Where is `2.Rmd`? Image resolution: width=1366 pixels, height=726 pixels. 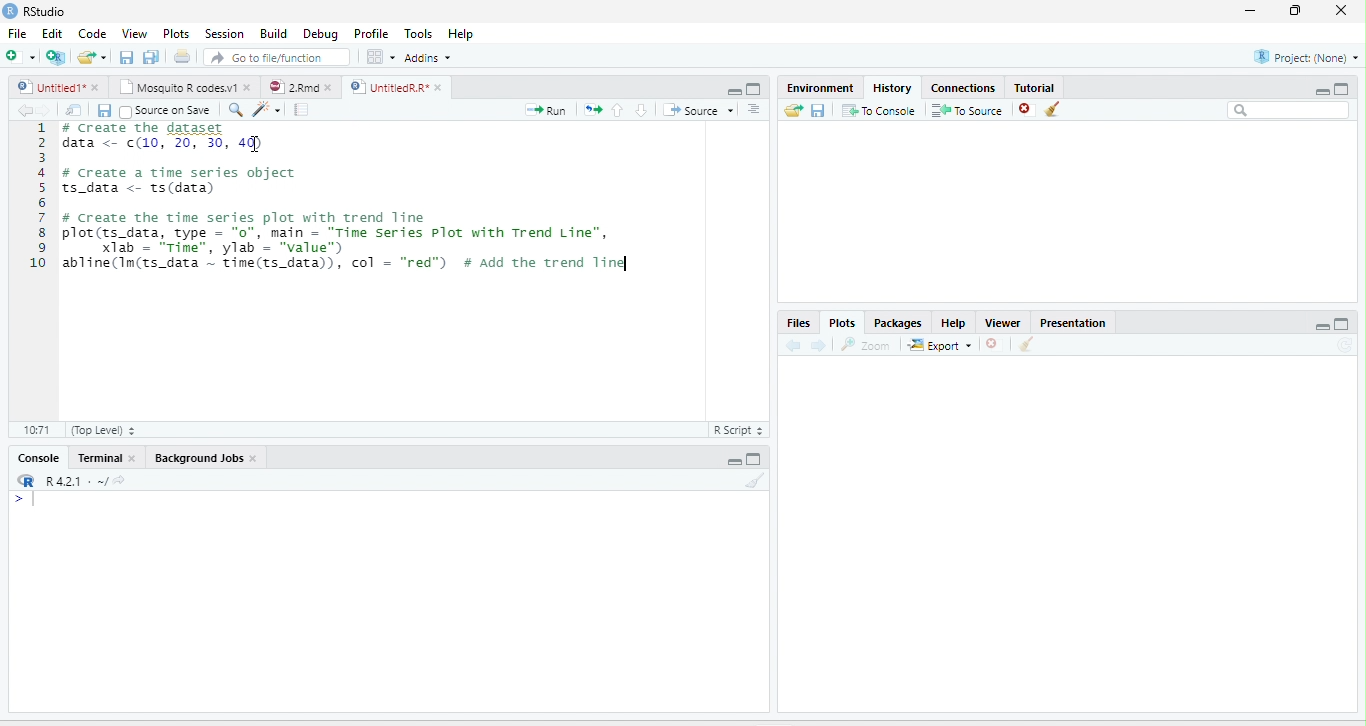 2.Rmd is located at coordinates (291, 87).